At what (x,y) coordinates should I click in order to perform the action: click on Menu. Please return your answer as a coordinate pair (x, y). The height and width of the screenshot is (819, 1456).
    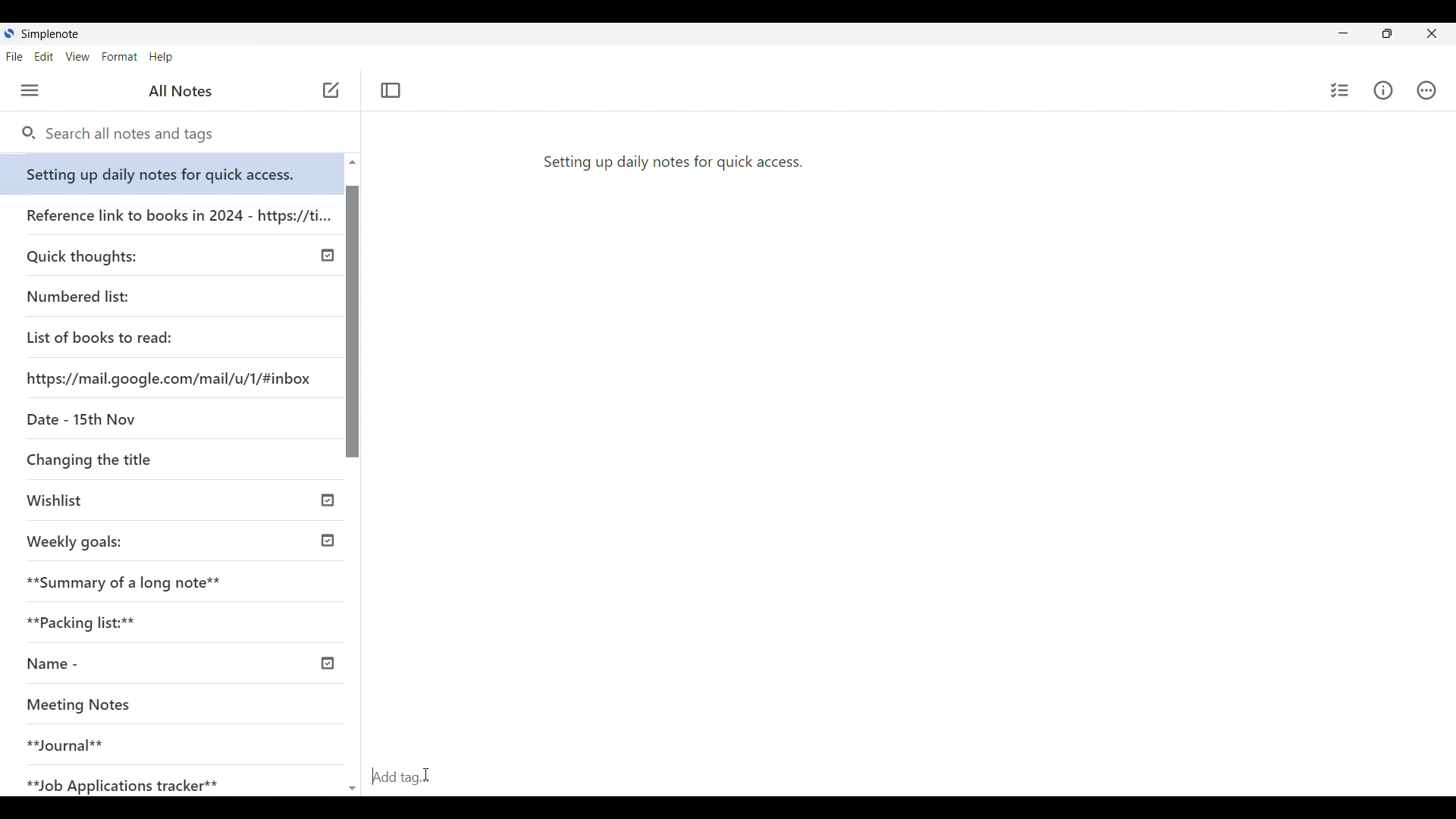
    Looking at the image, I should click on (30, 90).